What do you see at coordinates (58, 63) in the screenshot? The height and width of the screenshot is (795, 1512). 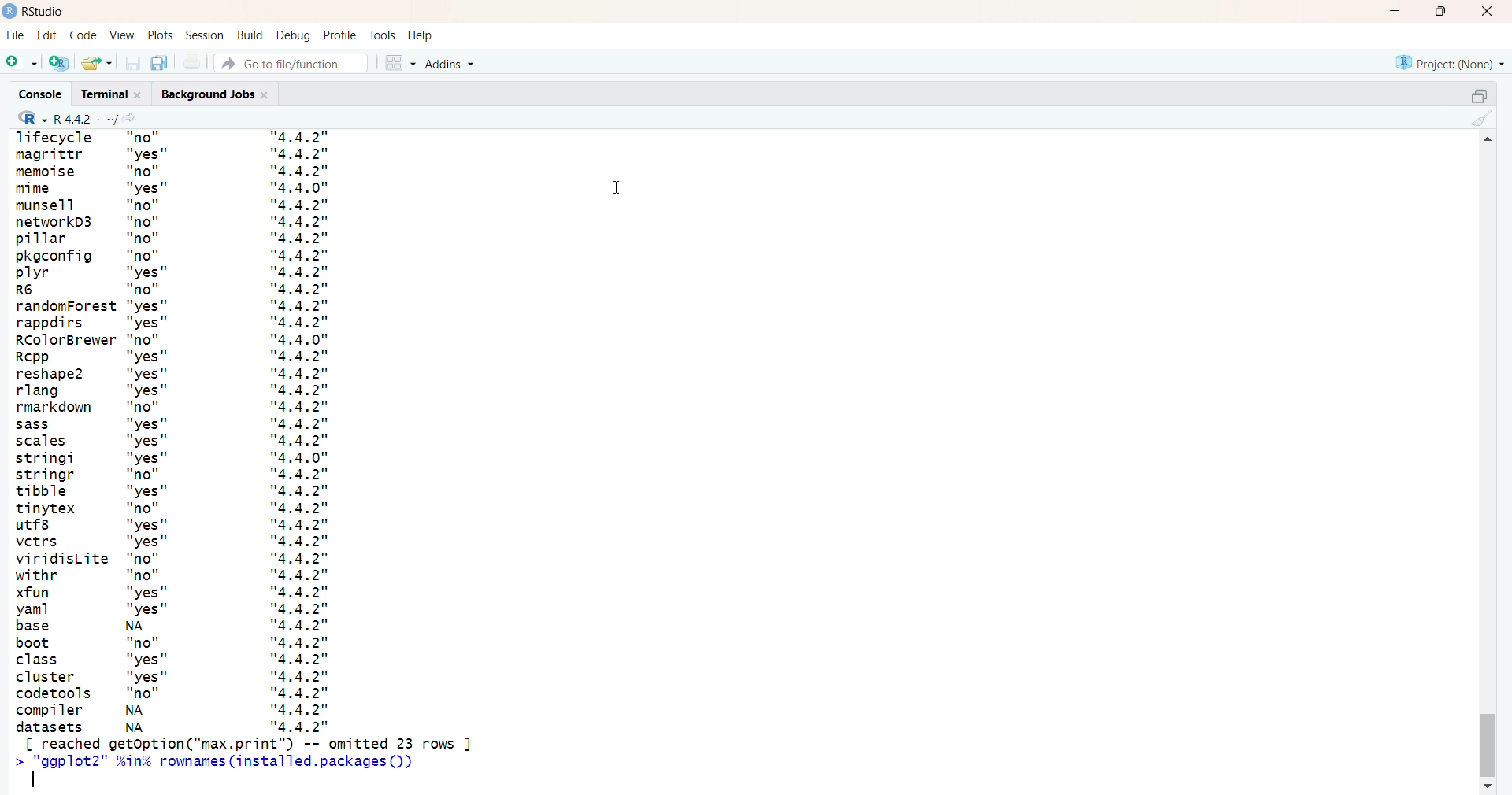 I see `create a project` at bounding box center [58, 63].